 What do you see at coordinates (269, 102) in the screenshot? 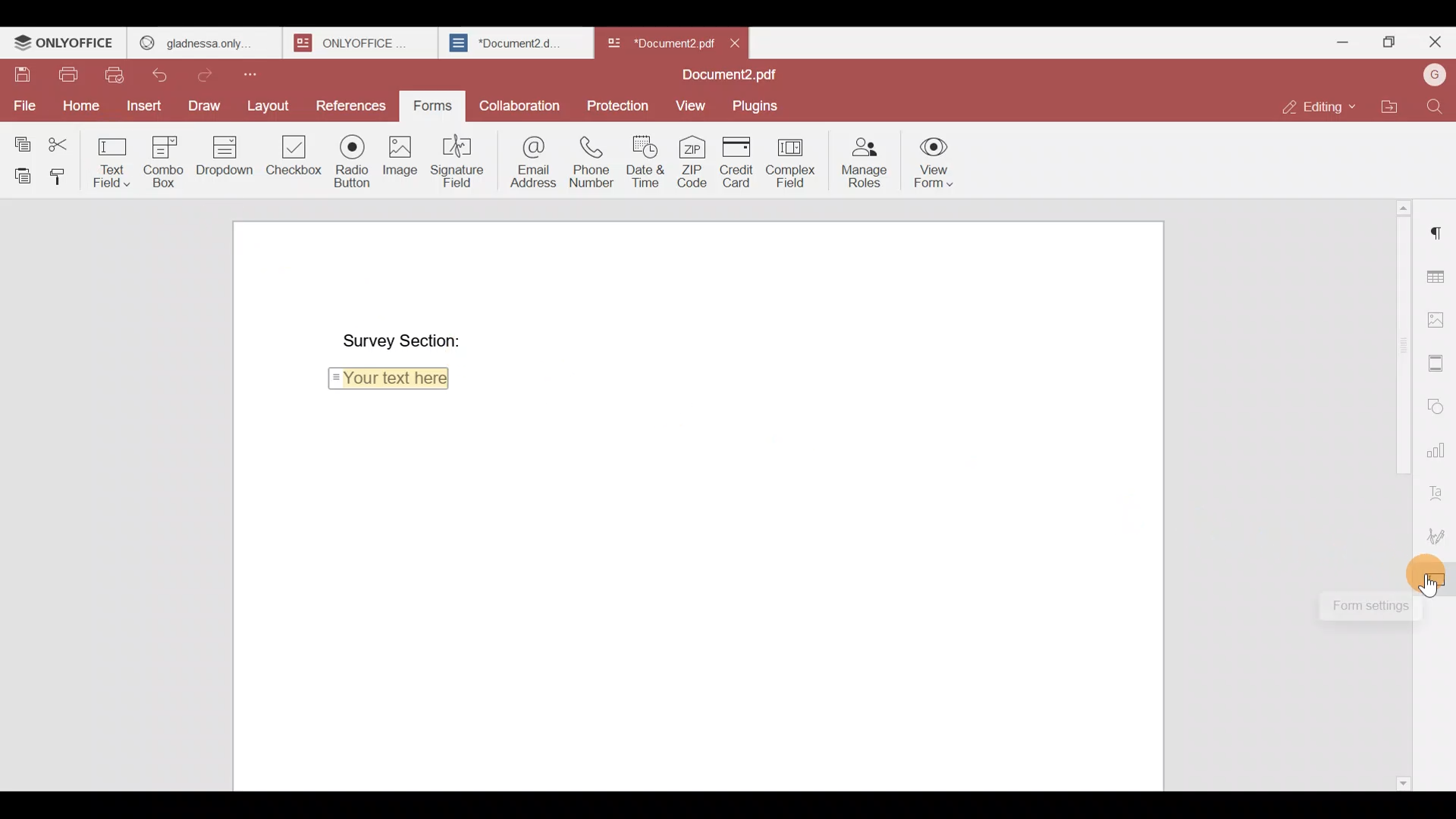
I see `Layout` at bounding box center [269, 102].